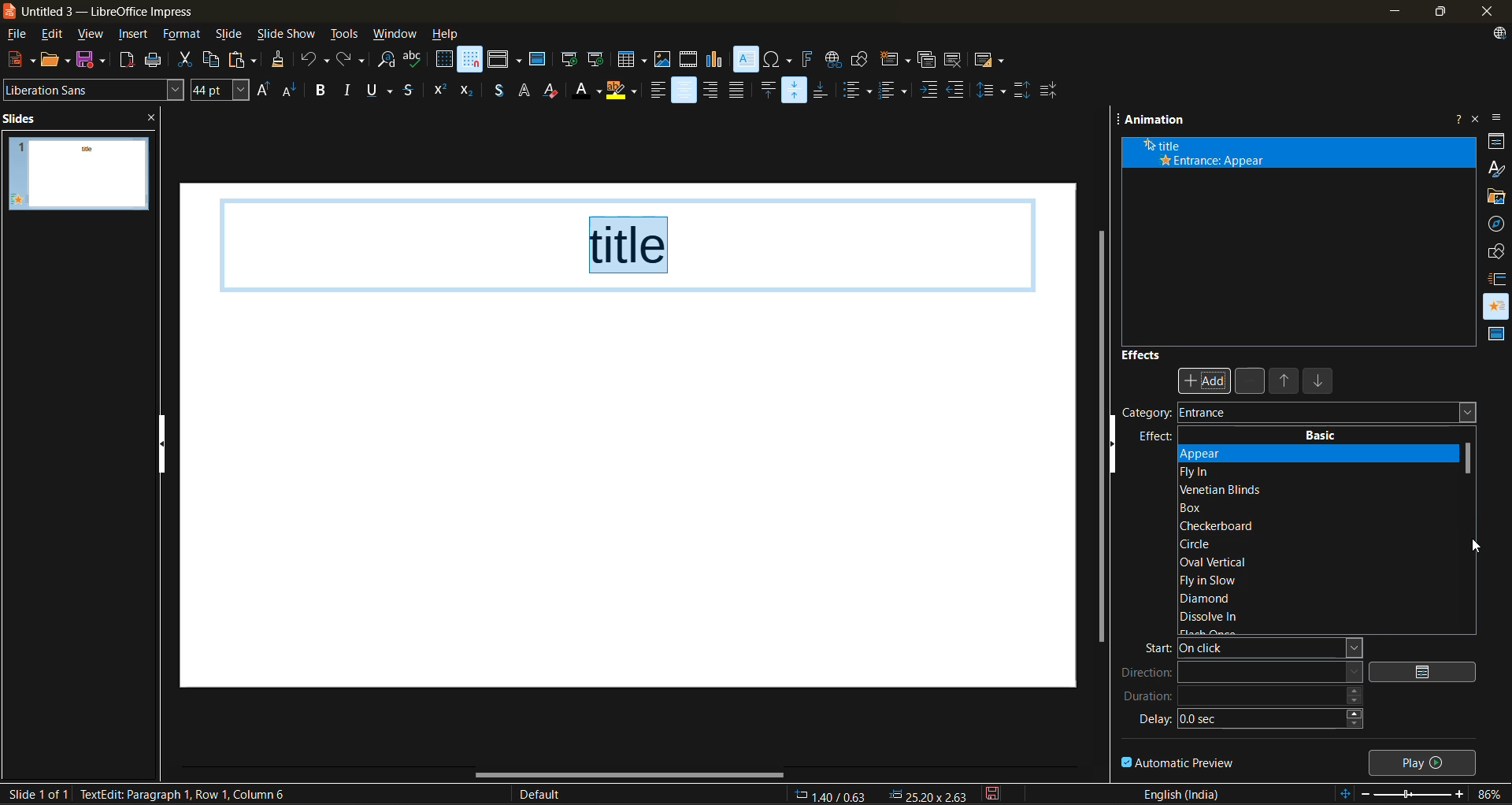 The height and width of the screenshot is (805, 1512). What do you see at coordinates (1243, 701) in the screenshot?
I see `duration` at bounding box center [1243, 701].